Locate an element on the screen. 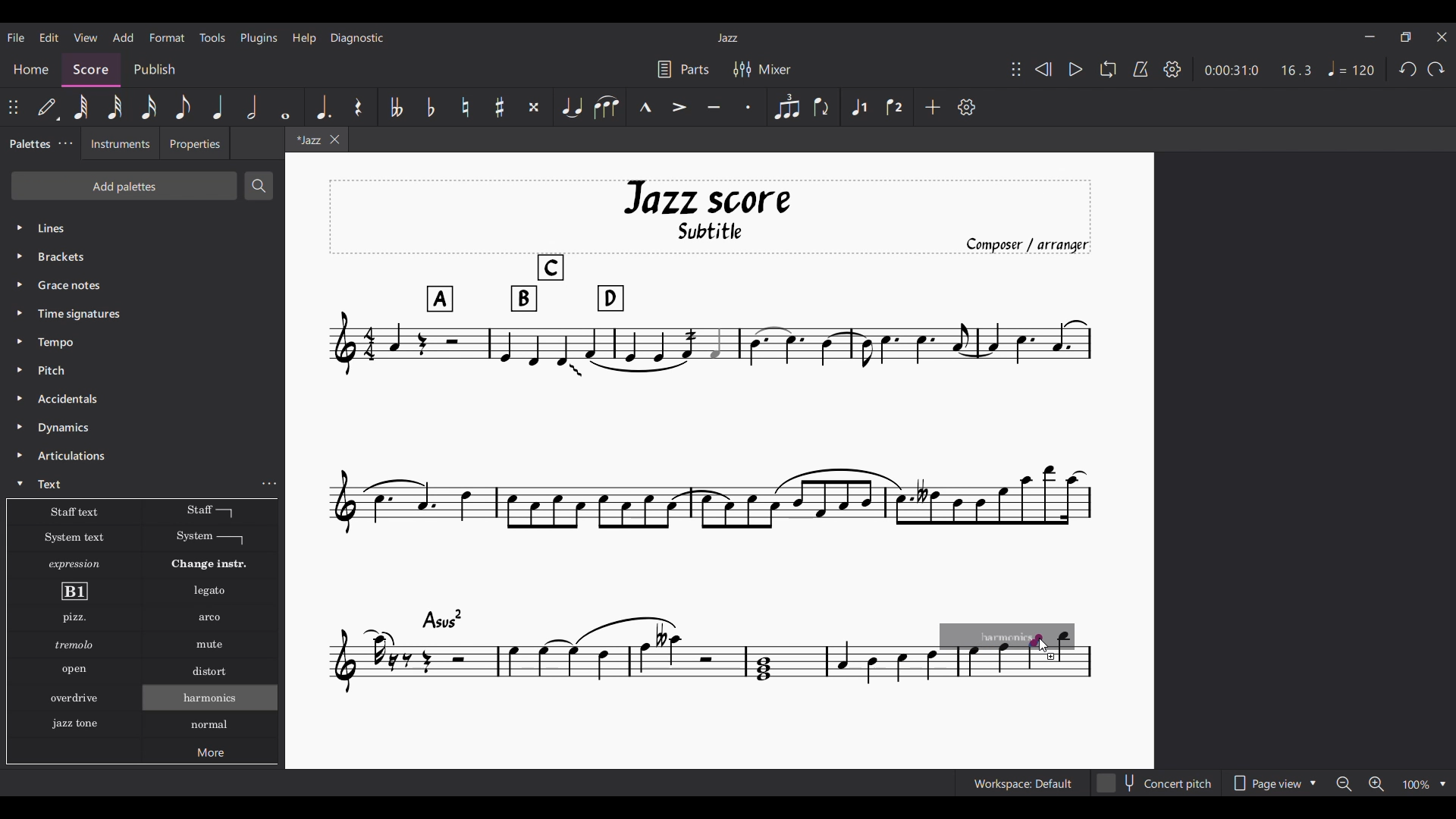  Rest is located at coordinates (358, 106).